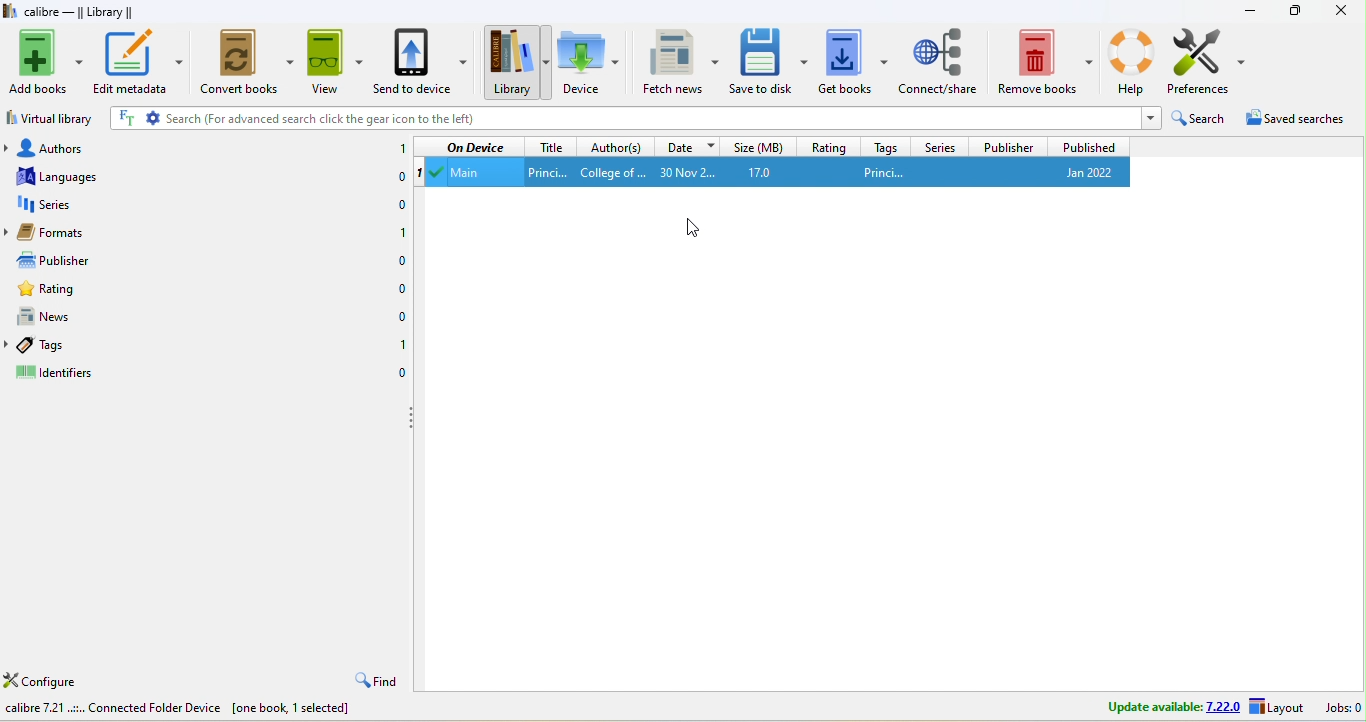 This screenshot has width=1366, height=722. Describe the element at coordinates (10, 11) in the screenshot. I see `logo` at that location.